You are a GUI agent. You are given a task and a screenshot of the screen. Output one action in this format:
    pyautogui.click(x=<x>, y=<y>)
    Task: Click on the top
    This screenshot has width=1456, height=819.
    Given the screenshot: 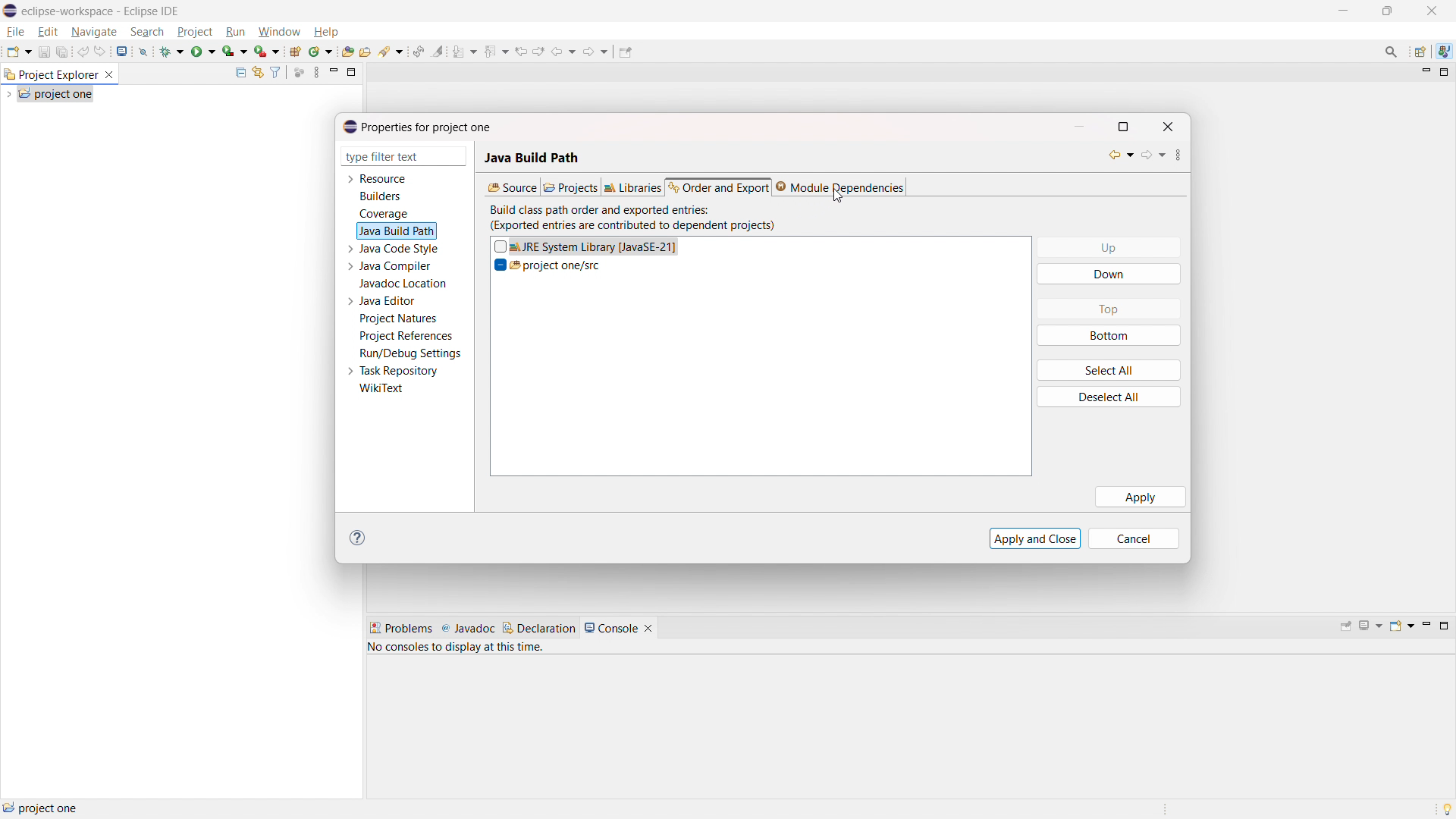 What is the action you would take?
    pyautogui.click(x=1110, y=308)
    